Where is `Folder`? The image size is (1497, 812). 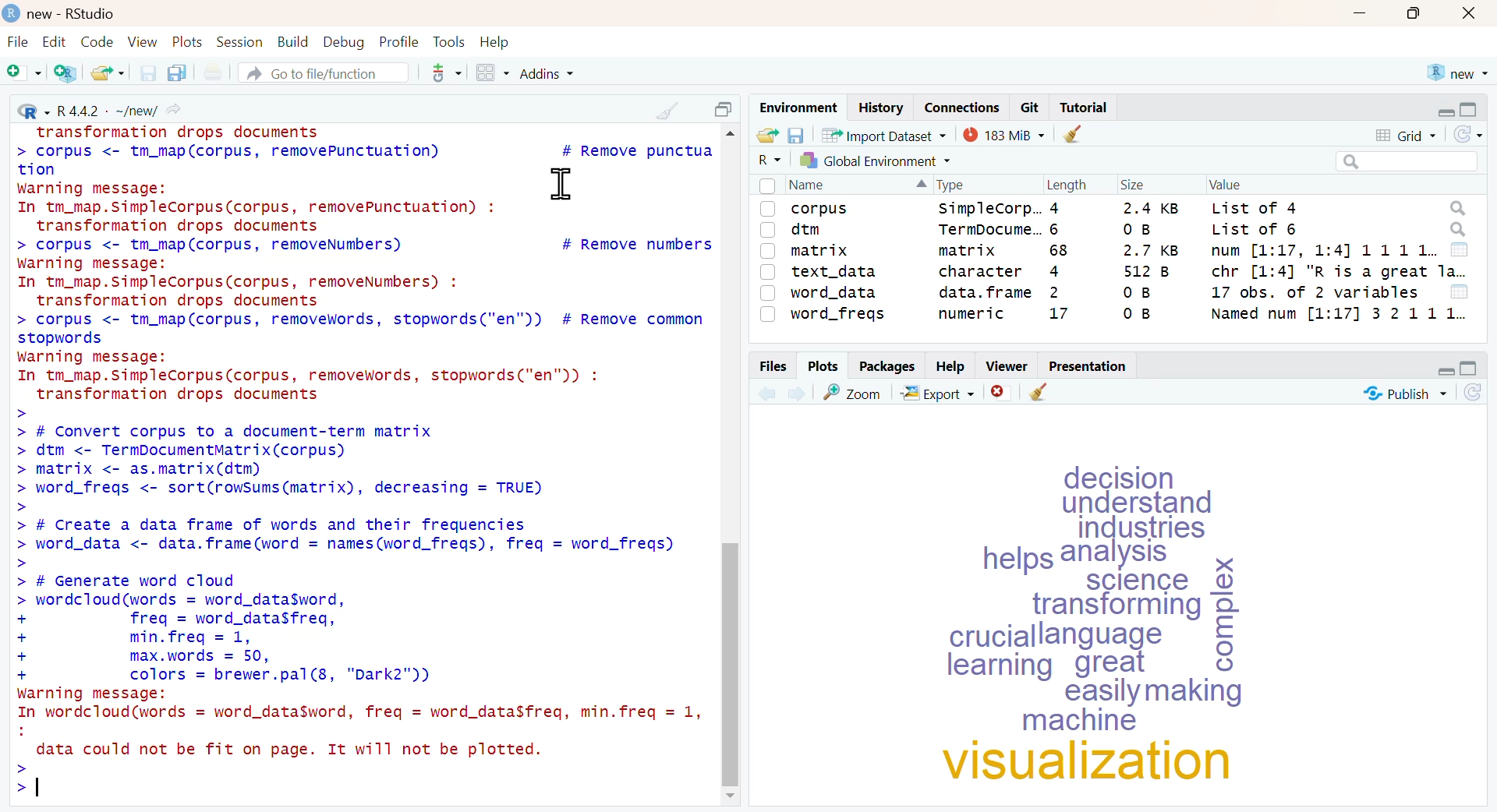
Folder is located at coordinates (766, 136).